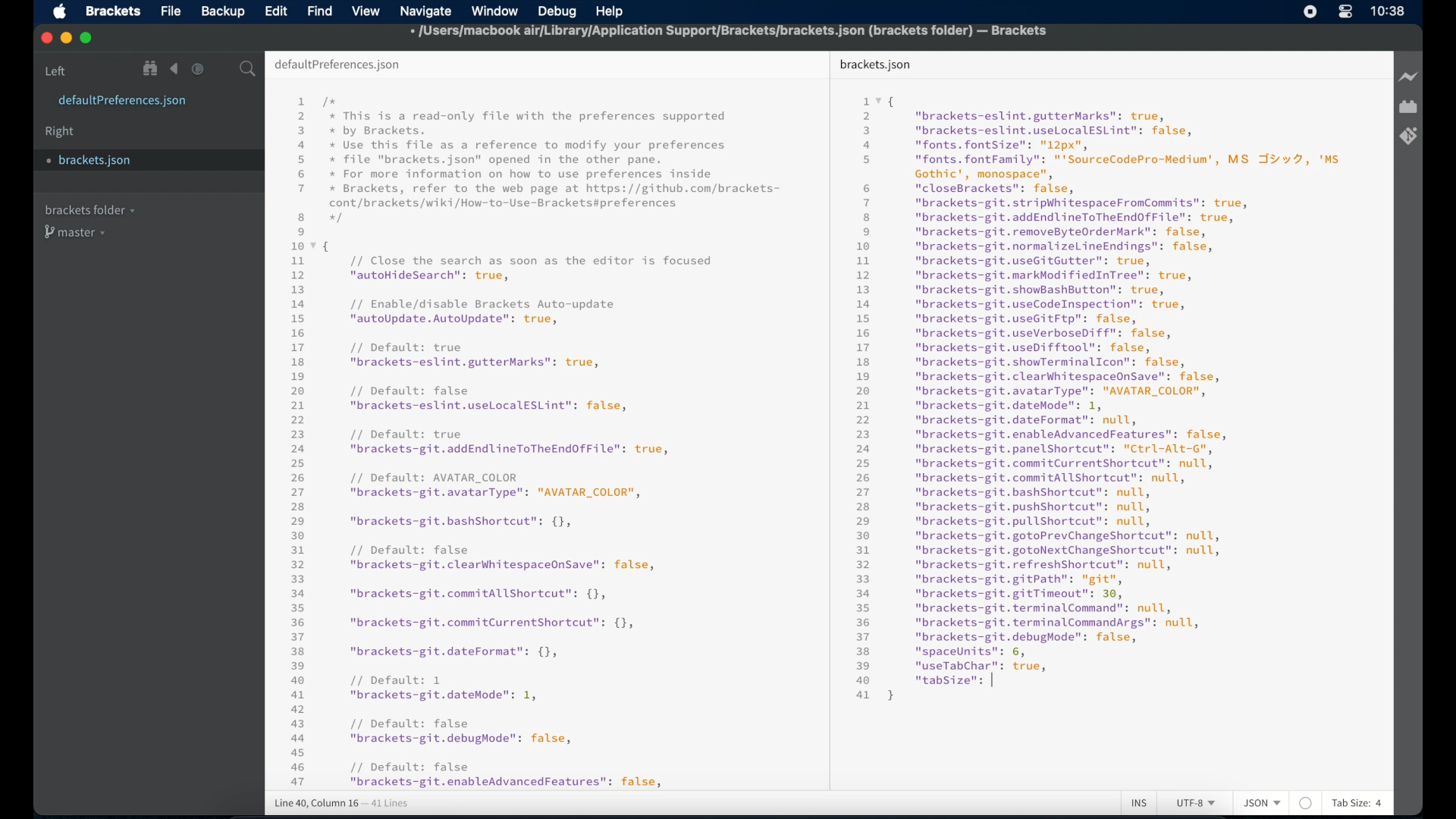 The image size is (1456, 819). What do you see at coordinates (1410, 77) in the screenshot?
I see `live preview` at bounding box center [1410, 77].